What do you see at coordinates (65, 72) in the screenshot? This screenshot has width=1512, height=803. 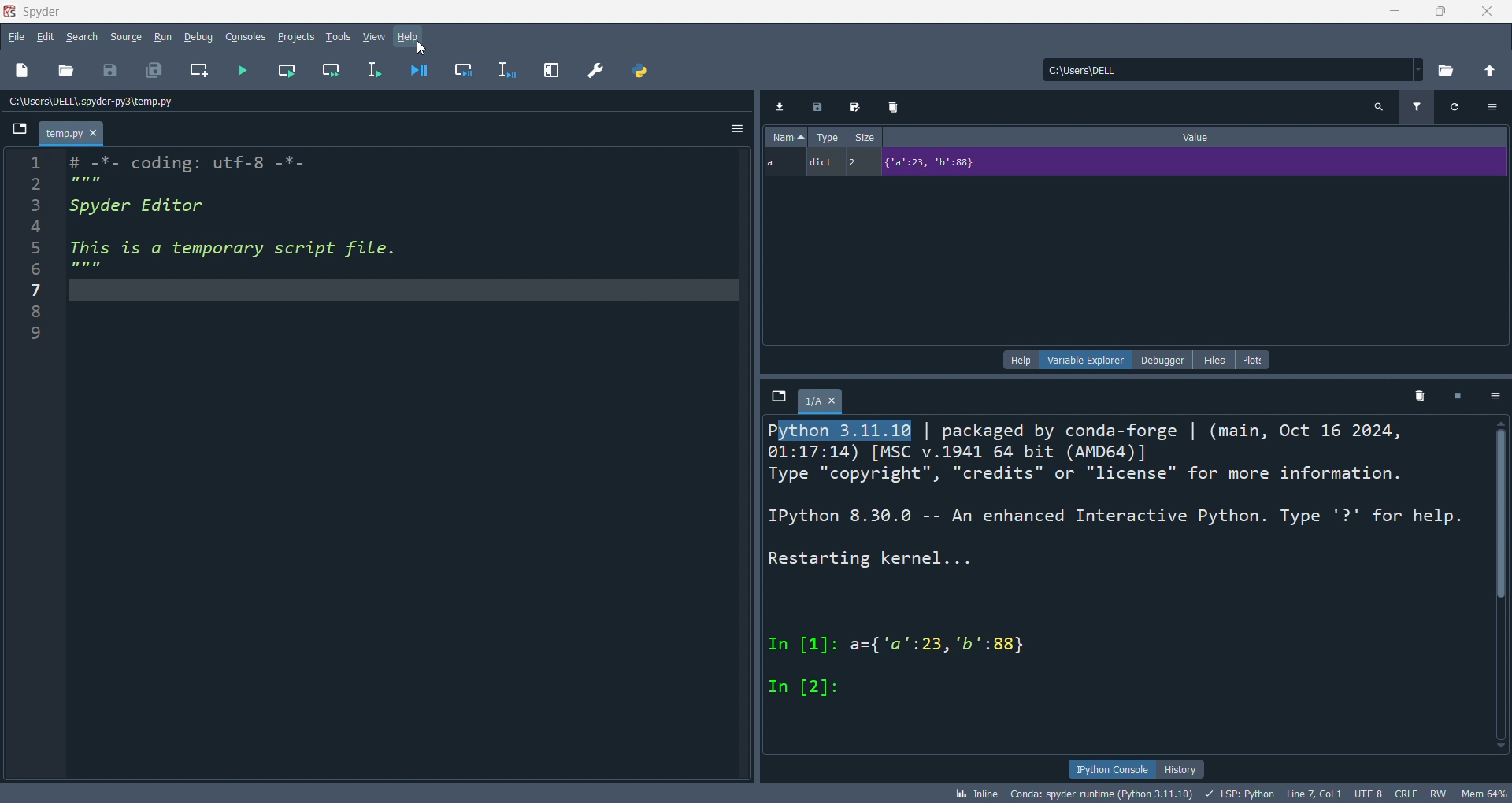 I see `open file` at bounding box center [65, 72].